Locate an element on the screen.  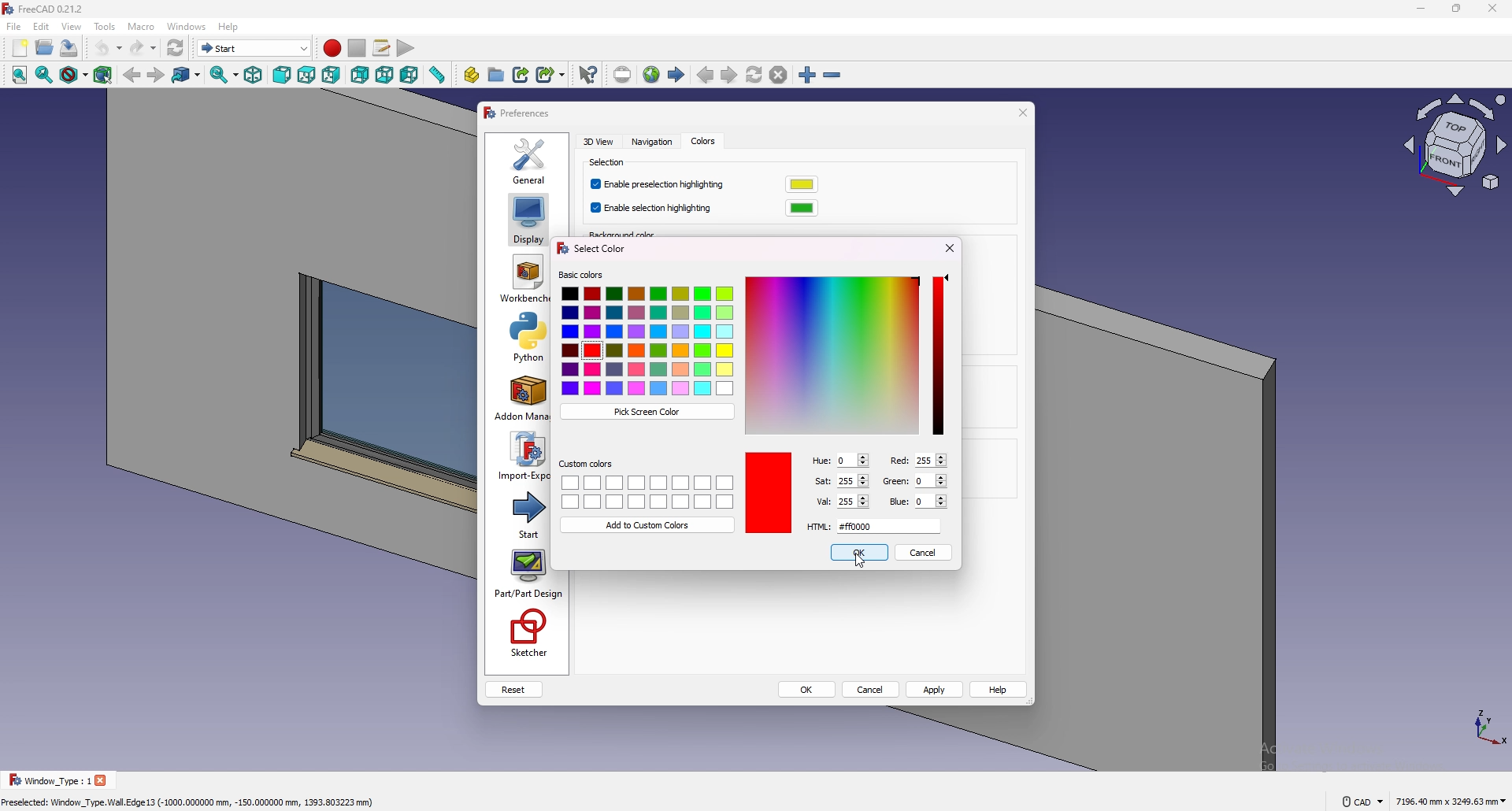
apply is located at coordinates (936, 689).